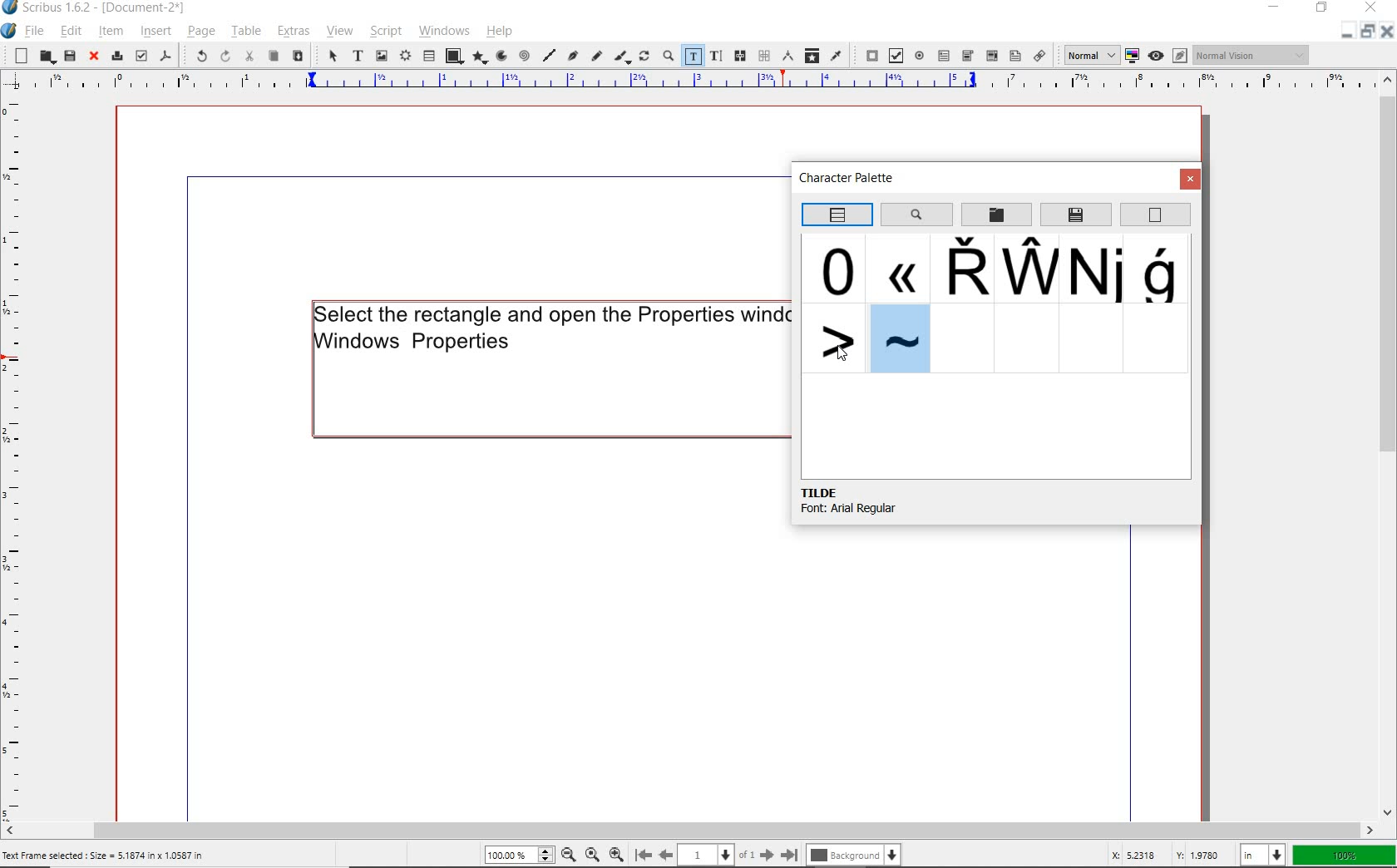 This screenshot has height=868, width=1397. Describe the element at coordinates (852, 180) in the screenshot. I see `character palette` at that location.